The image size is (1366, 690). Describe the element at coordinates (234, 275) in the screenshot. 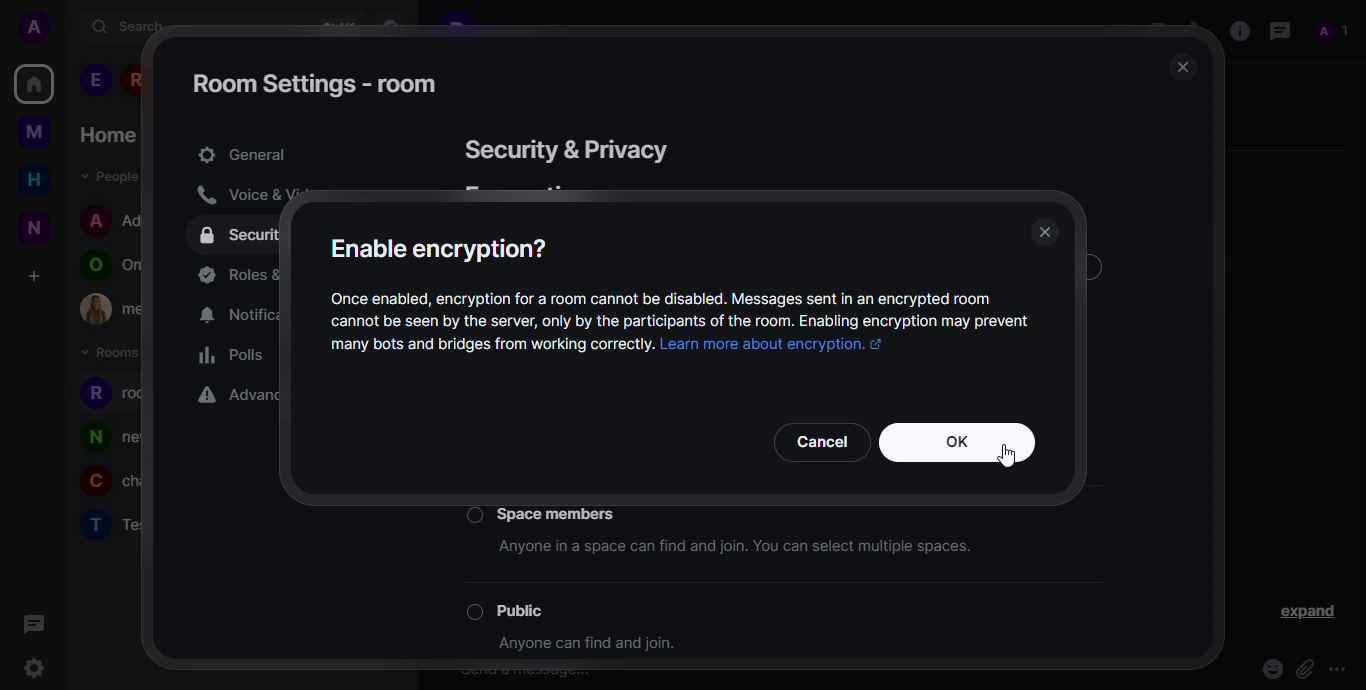

I see `roles` at that location.